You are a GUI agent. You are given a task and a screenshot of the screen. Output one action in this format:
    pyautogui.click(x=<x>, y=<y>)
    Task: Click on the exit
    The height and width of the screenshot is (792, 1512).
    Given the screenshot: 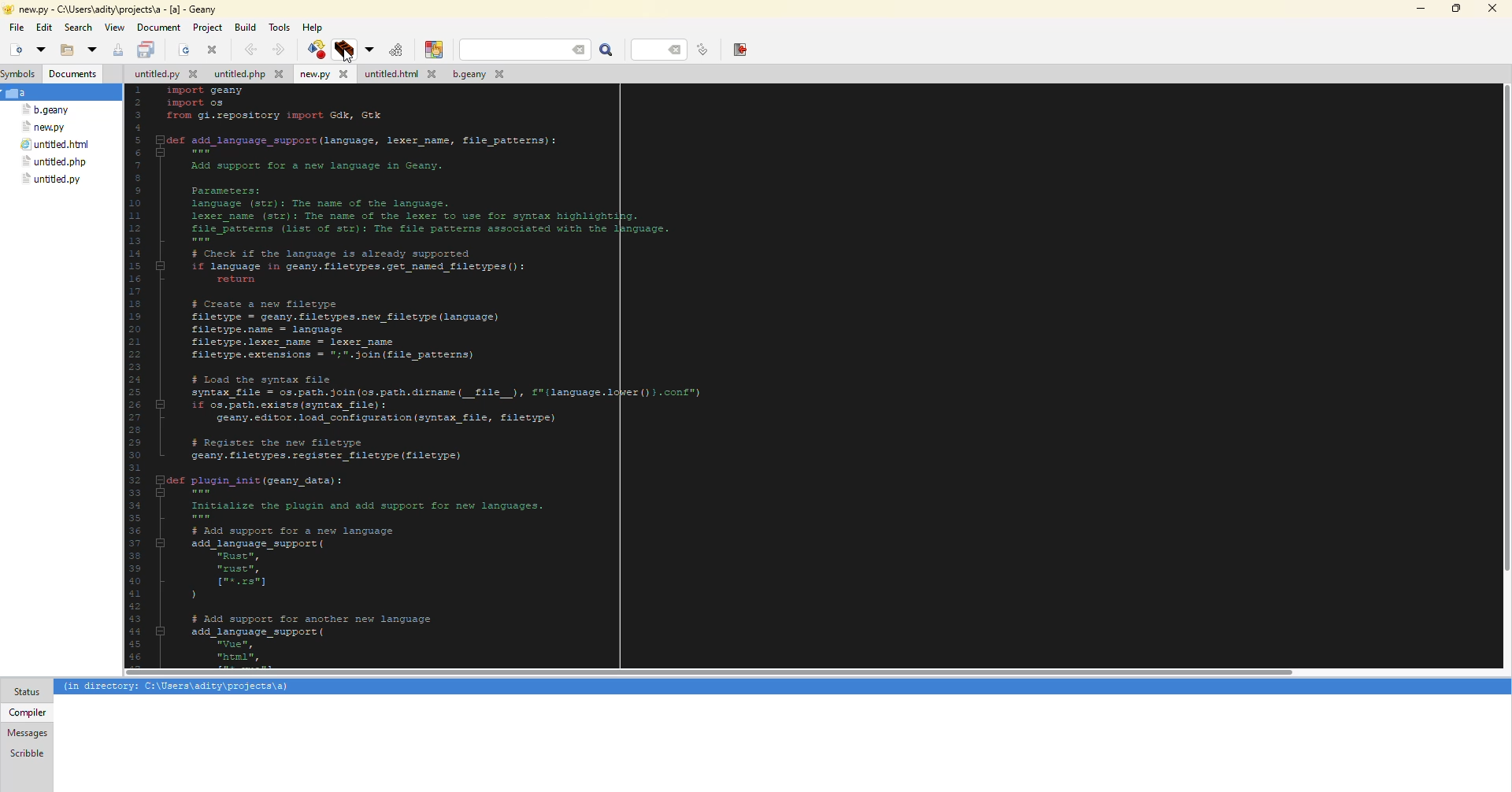 What is the action you would take?
    pyautogui.click(x=741, y=50)
    